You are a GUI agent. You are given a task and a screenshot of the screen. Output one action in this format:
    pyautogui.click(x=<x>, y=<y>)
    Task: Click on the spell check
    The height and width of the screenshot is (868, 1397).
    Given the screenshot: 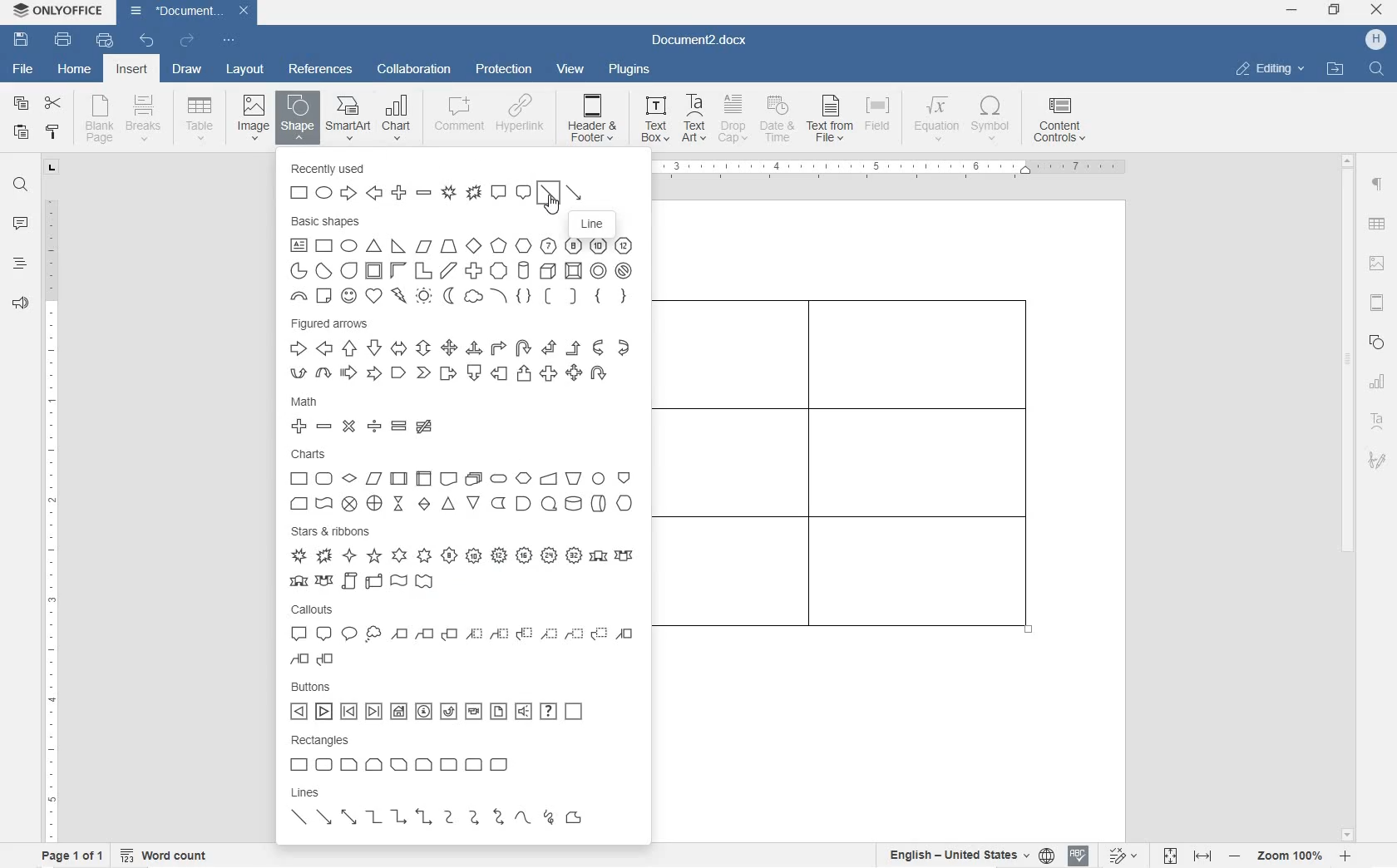 What is the action you would take?
    pyautogui.click(x=1079, y=857)
    